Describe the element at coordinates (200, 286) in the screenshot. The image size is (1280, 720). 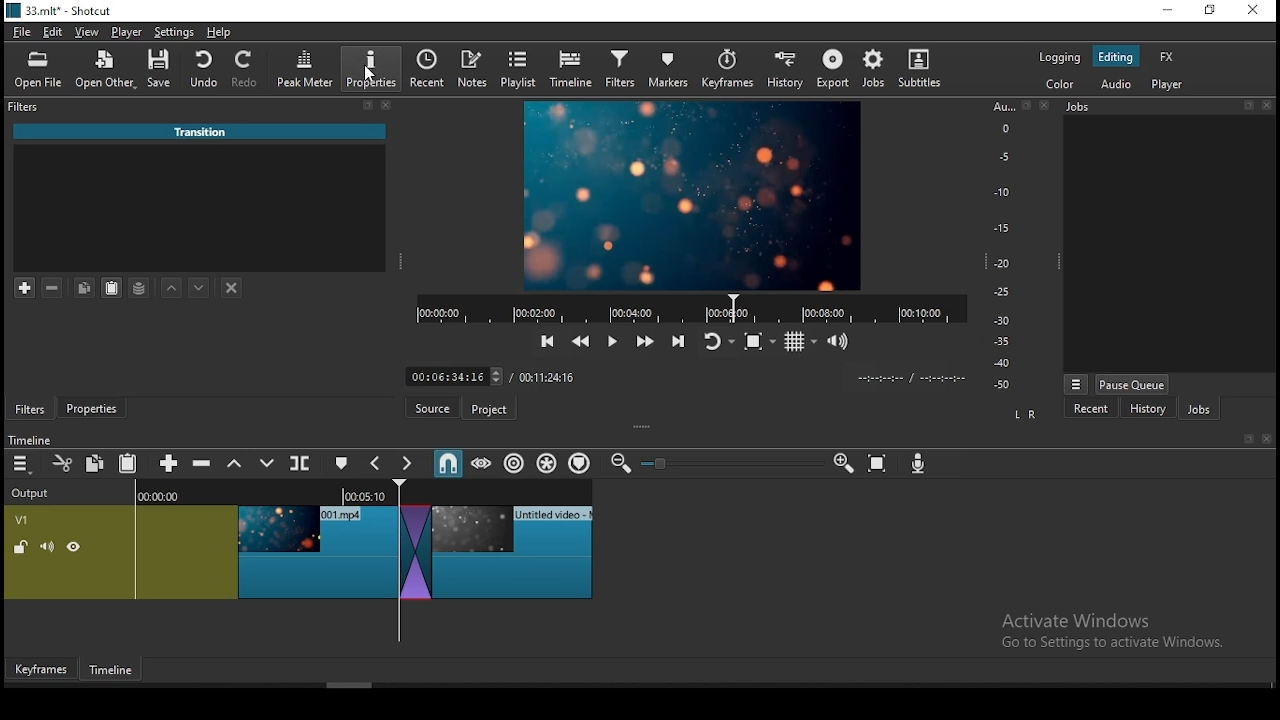
I see `move filter down` at that location.